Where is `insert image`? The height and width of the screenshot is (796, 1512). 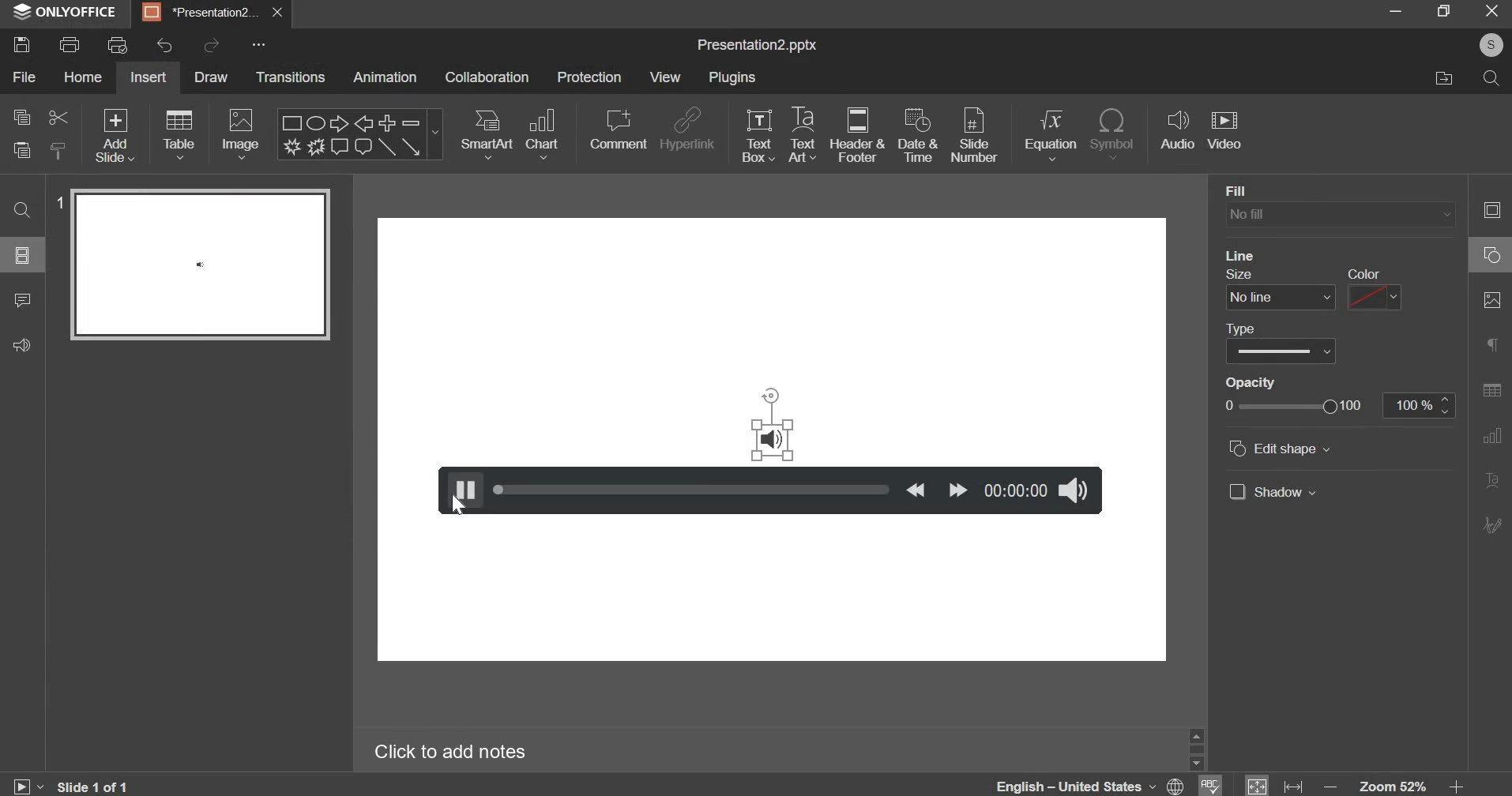 insert image is located at coordinates (242, 135).